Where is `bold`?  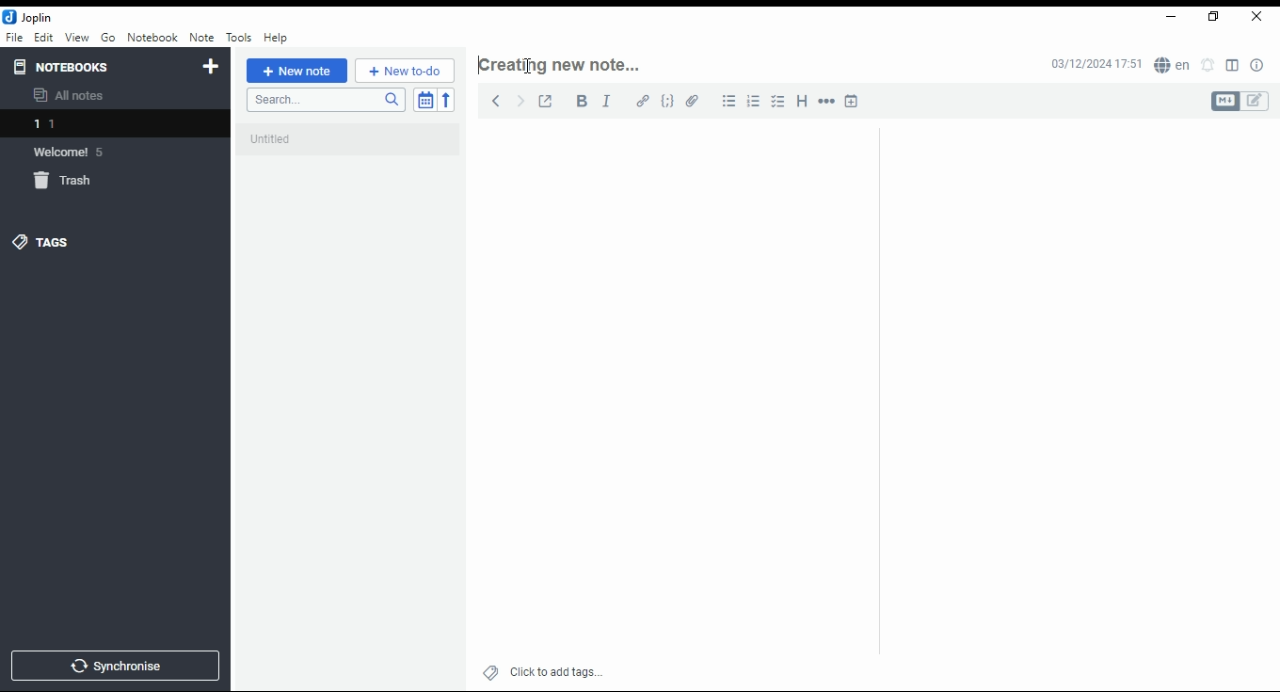 bold is located at coordinates (578, 101).